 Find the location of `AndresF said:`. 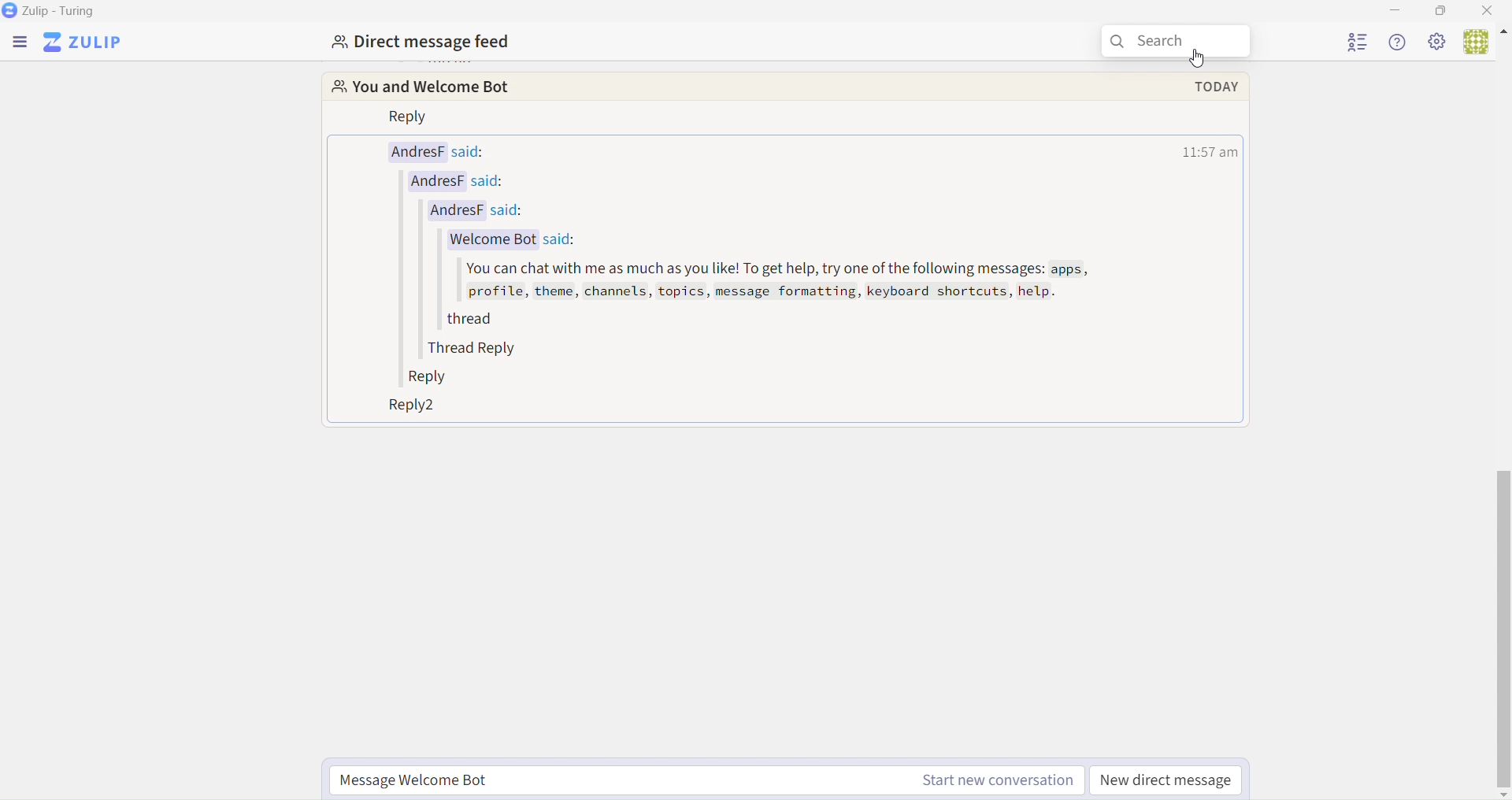

AndresF said: is located at coordinates (473, 181).